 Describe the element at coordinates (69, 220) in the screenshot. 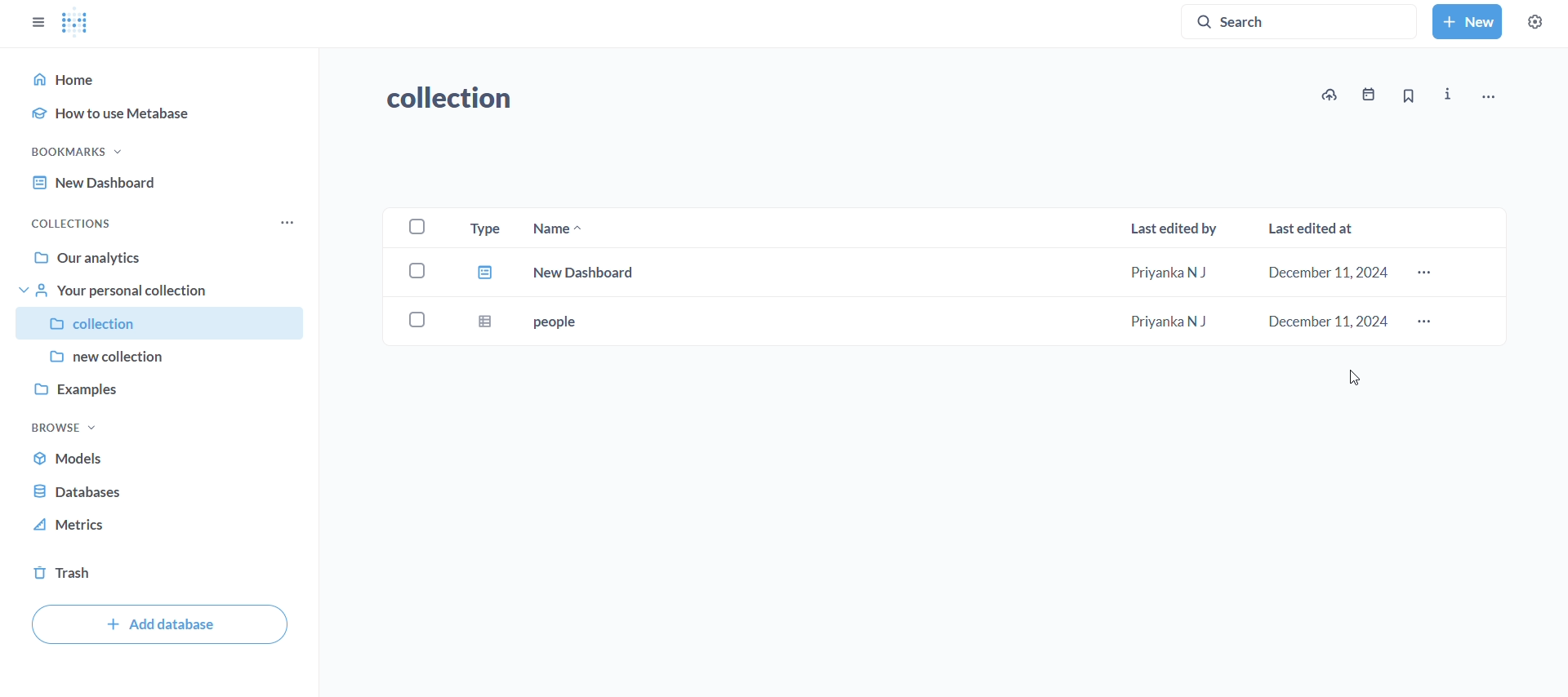

I see `collections` at that location.